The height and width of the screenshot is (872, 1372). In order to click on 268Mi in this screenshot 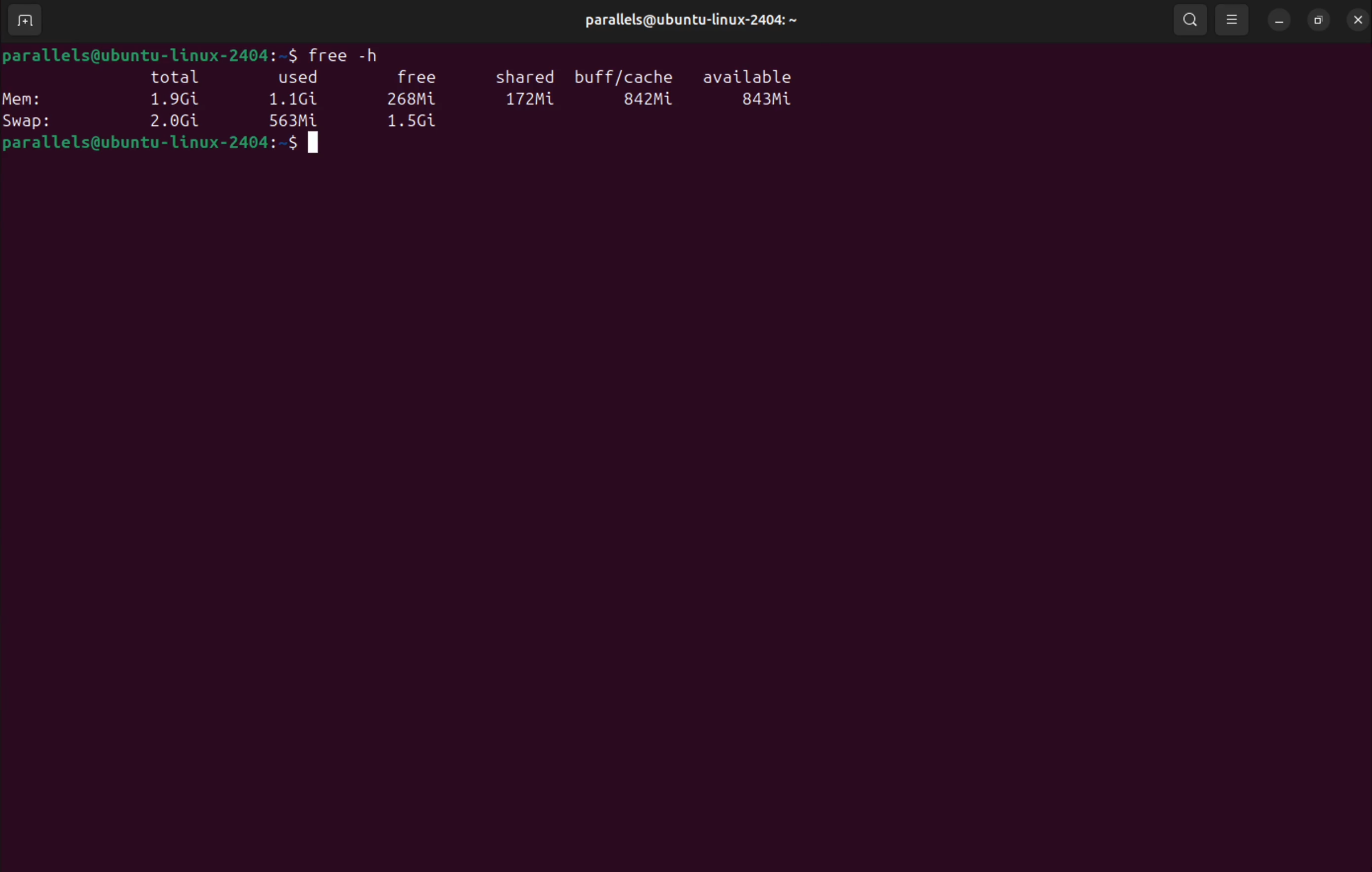, I will do `click(416, 97)`.